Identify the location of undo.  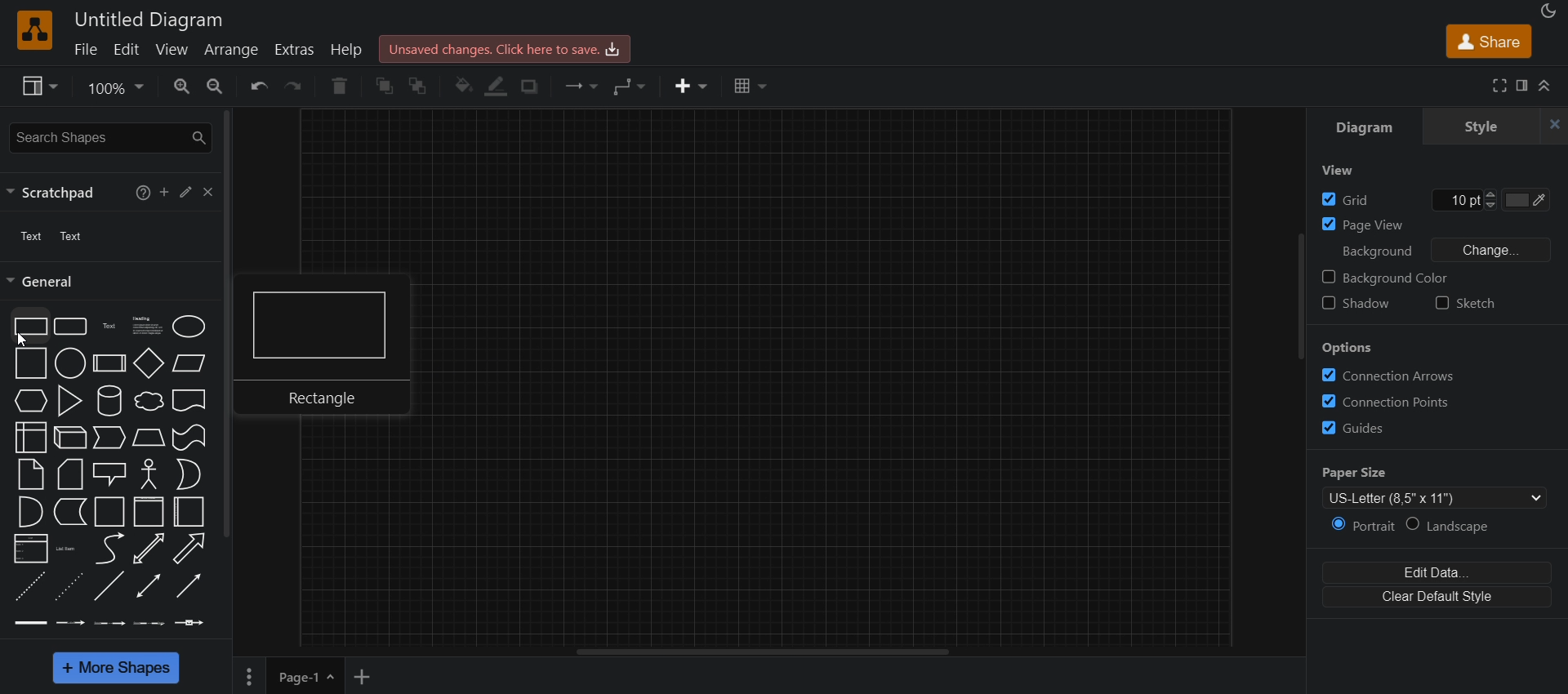
(258, 87).